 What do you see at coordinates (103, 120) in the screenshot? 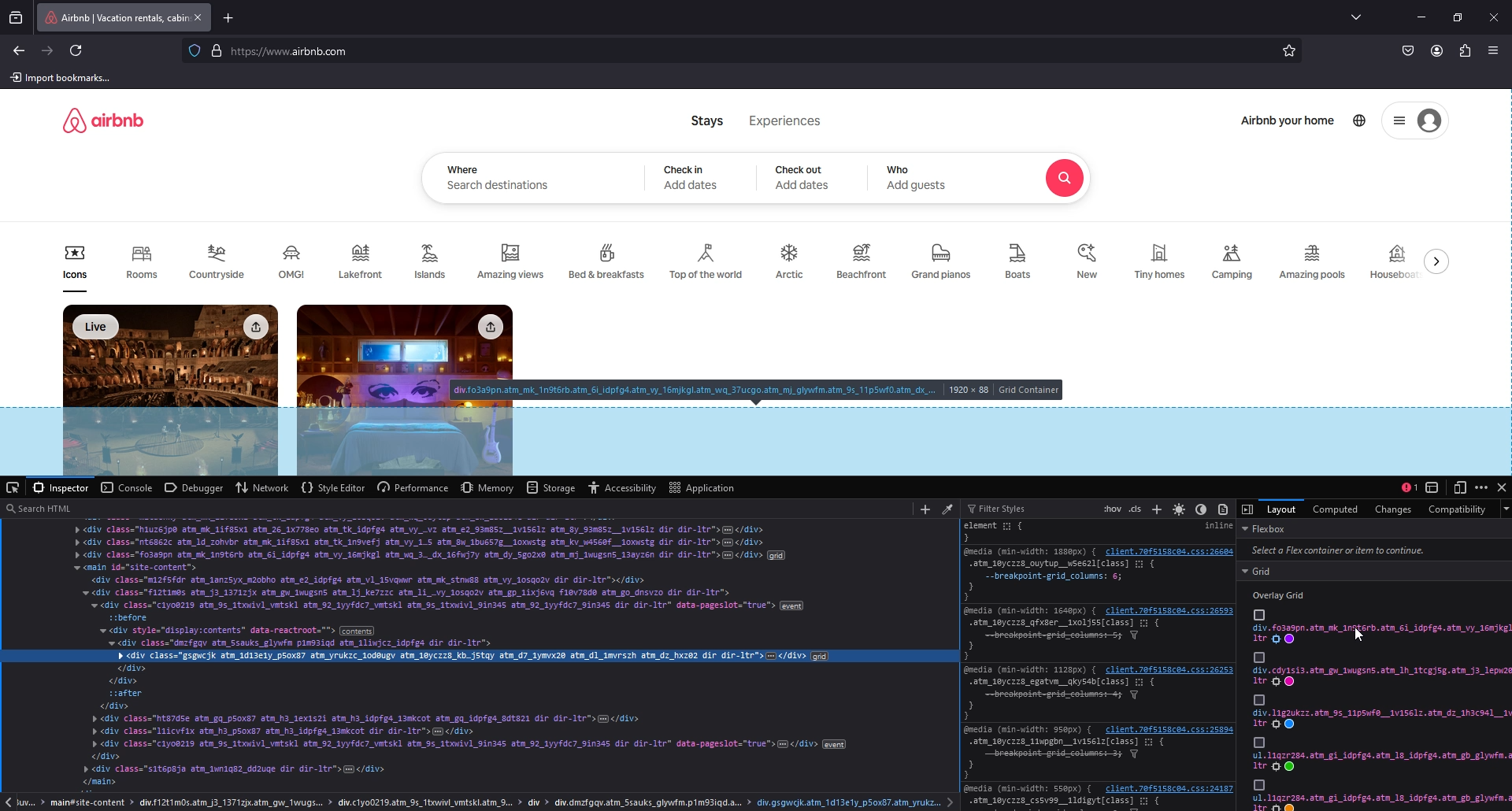
I see `logo` at bounding box center [103, 120].